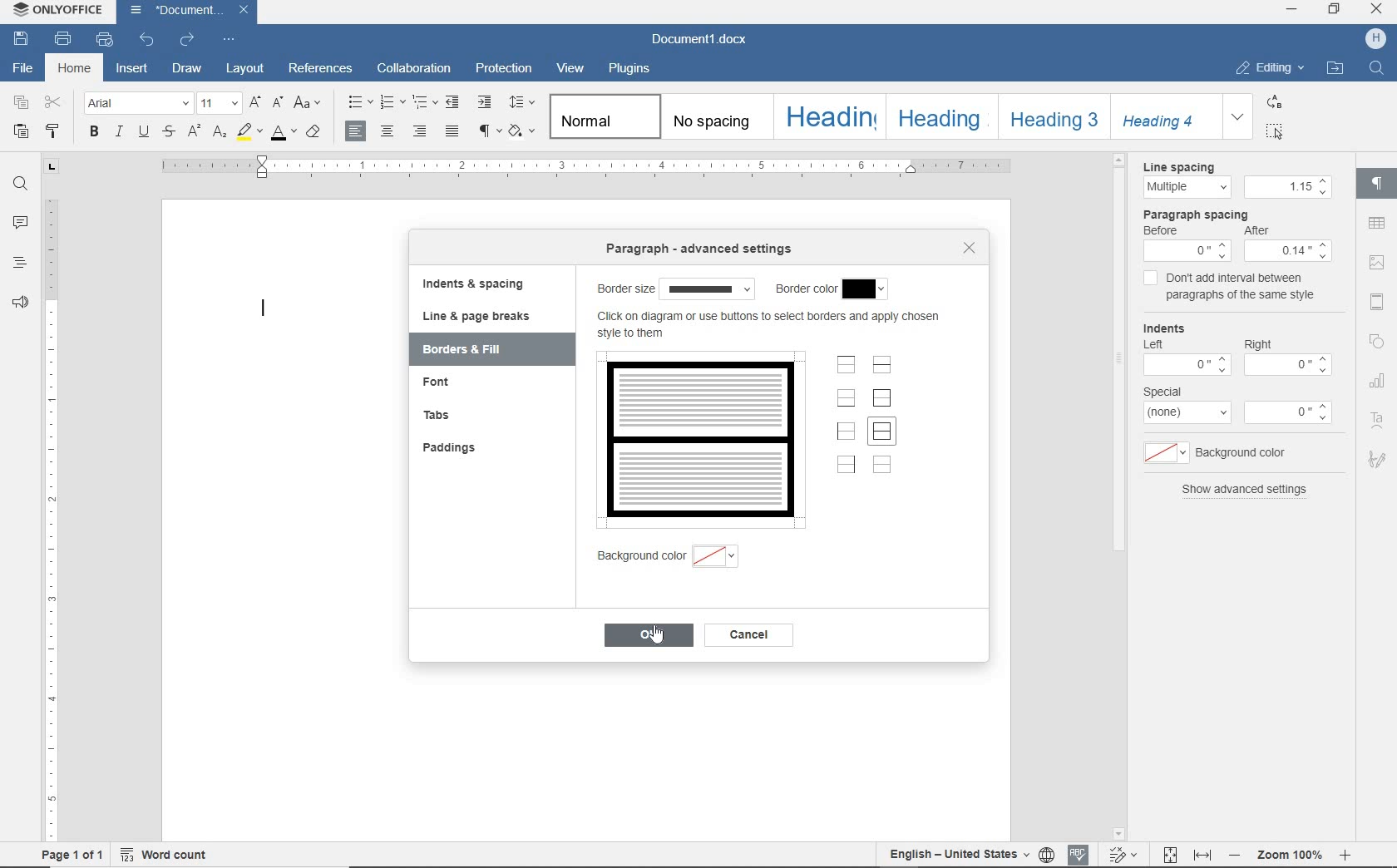  Describe the element at coordinates (309, 104) in the screenshot. I see `change case` at that location.